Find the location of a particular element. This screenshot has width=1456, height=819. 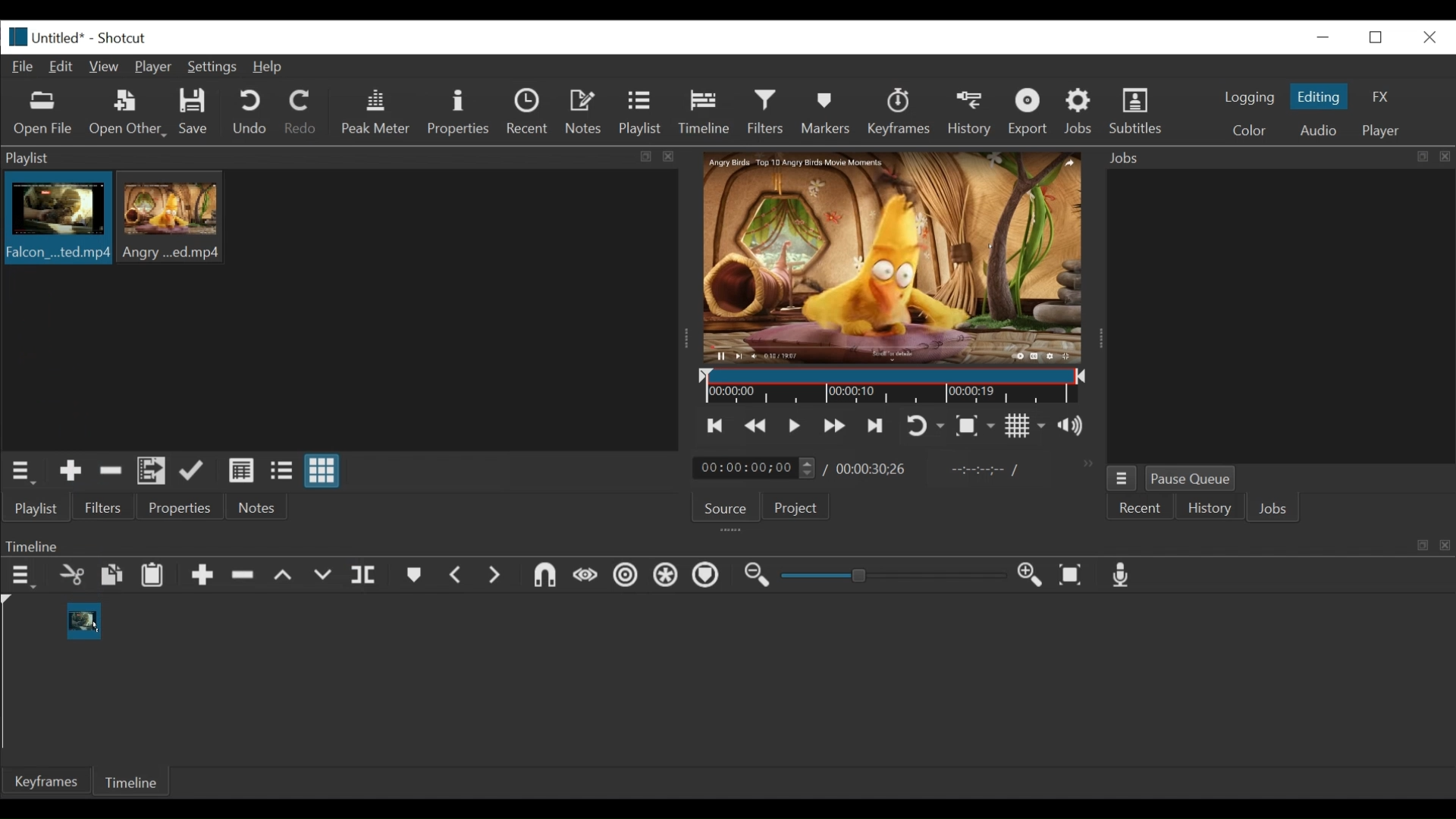

Subtitles is located at coordinates (1136, 111).